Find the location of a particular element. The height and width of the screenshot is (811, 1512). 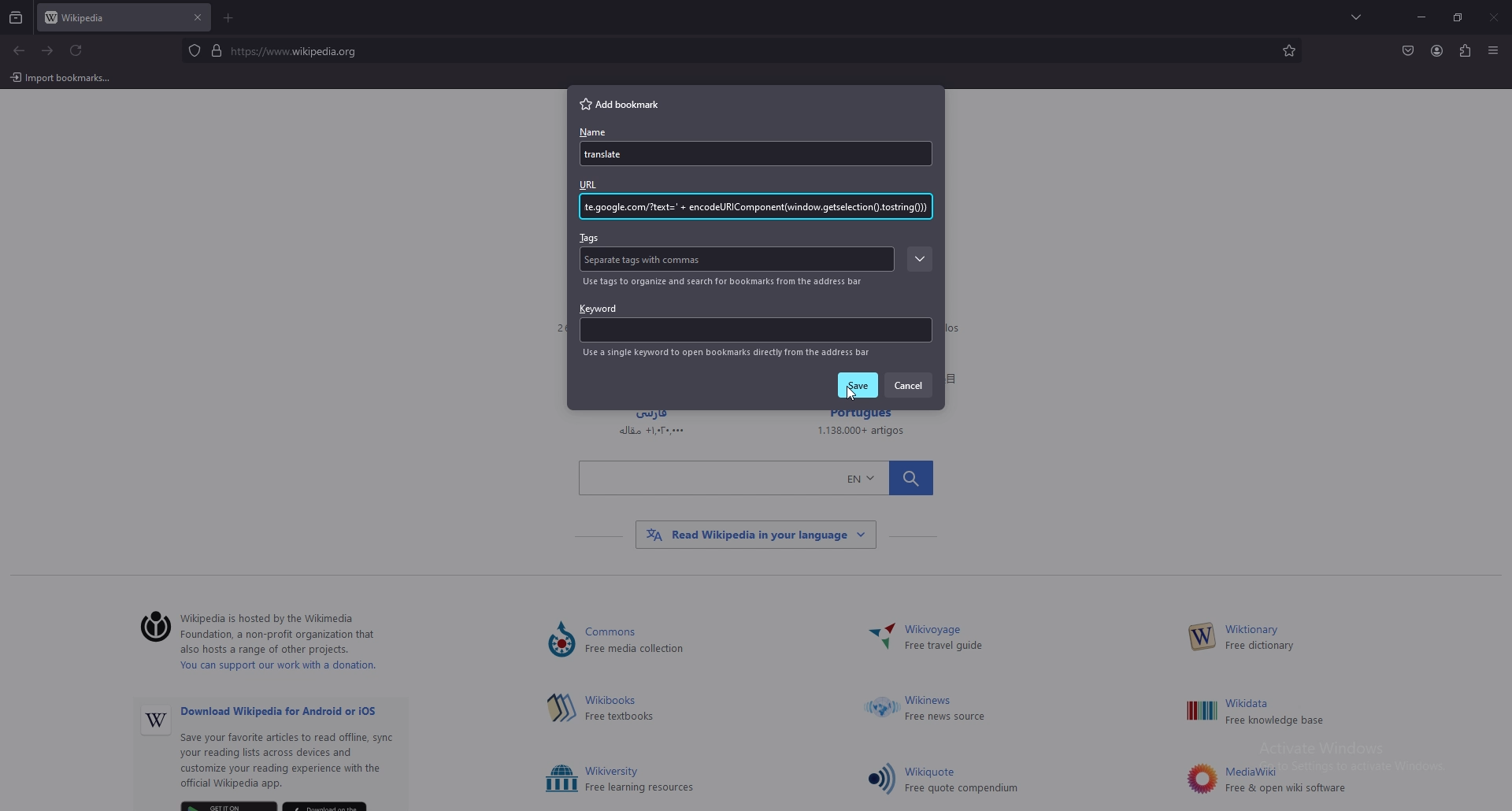

 is located at coordinates (947, 709).